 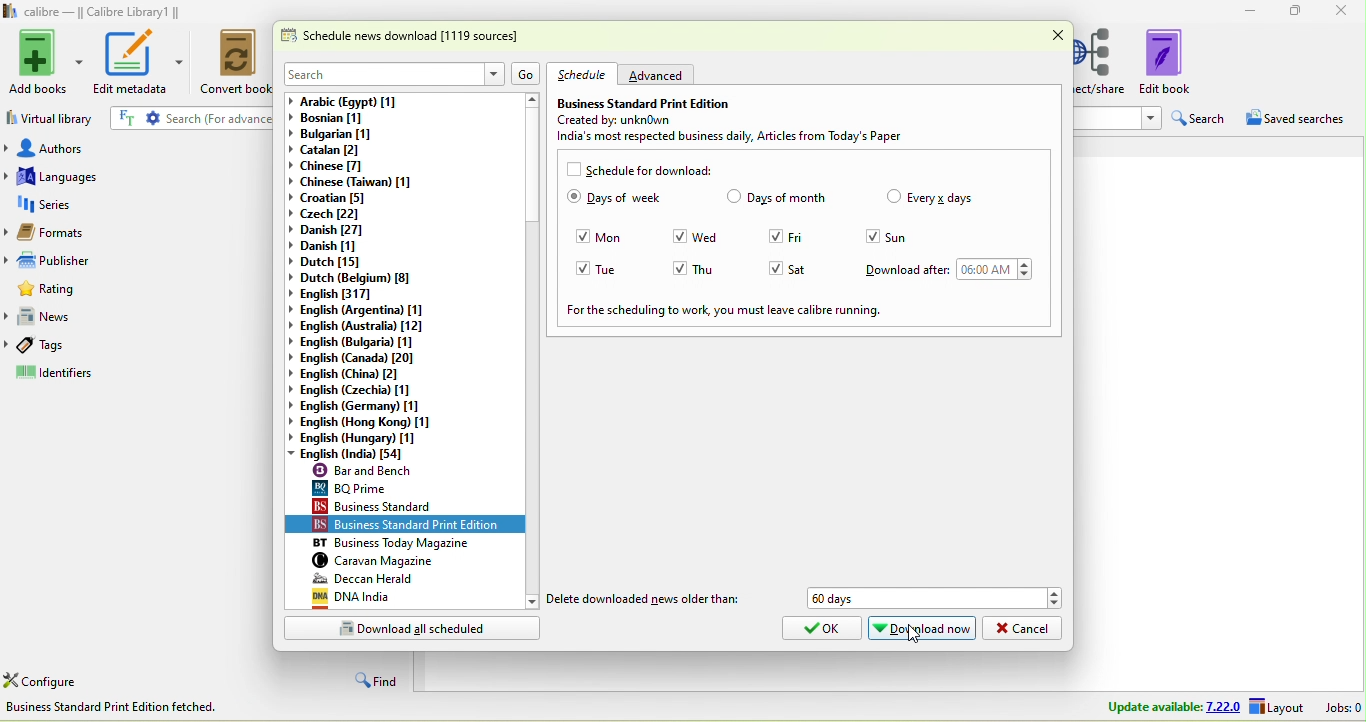 What do you see at coordinates (1154, 707) in the screenshot?
I see `update available 7.22.0 layout` at bounding box center [1154, 707].